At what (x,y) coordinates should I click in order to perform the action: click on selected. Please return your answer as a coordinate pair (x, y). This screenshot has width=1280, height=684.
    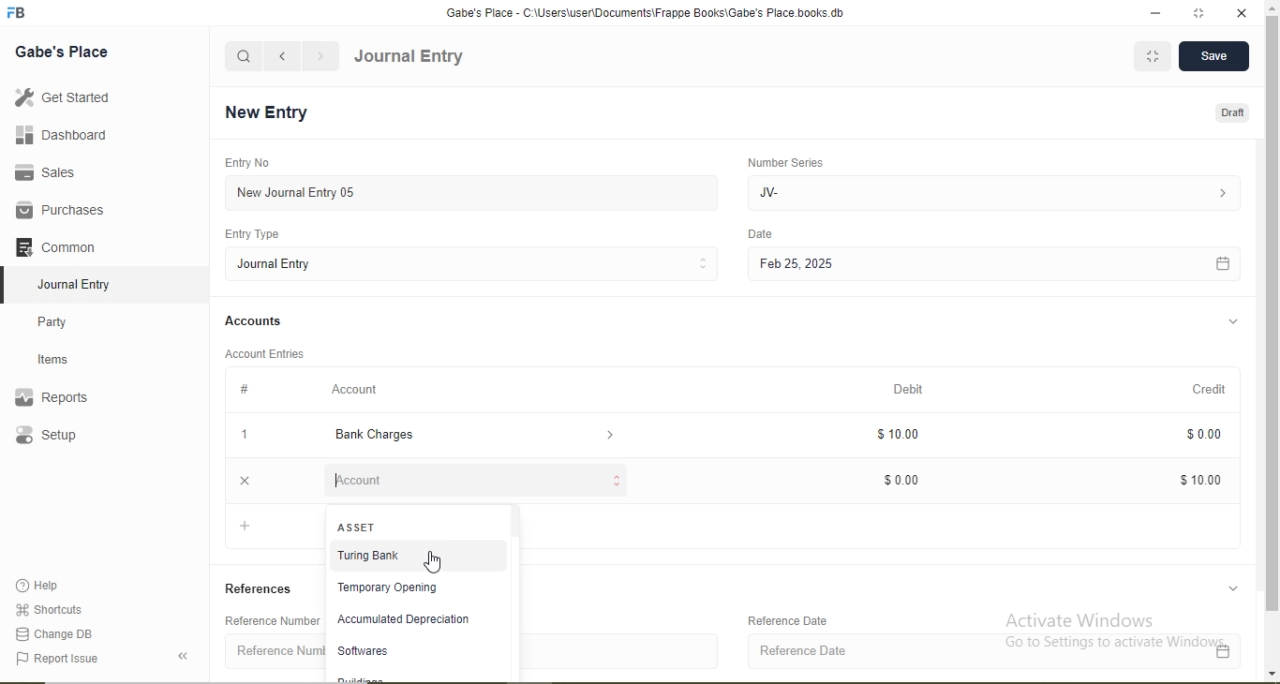
    Looking at the image, I should click on (8, 284).